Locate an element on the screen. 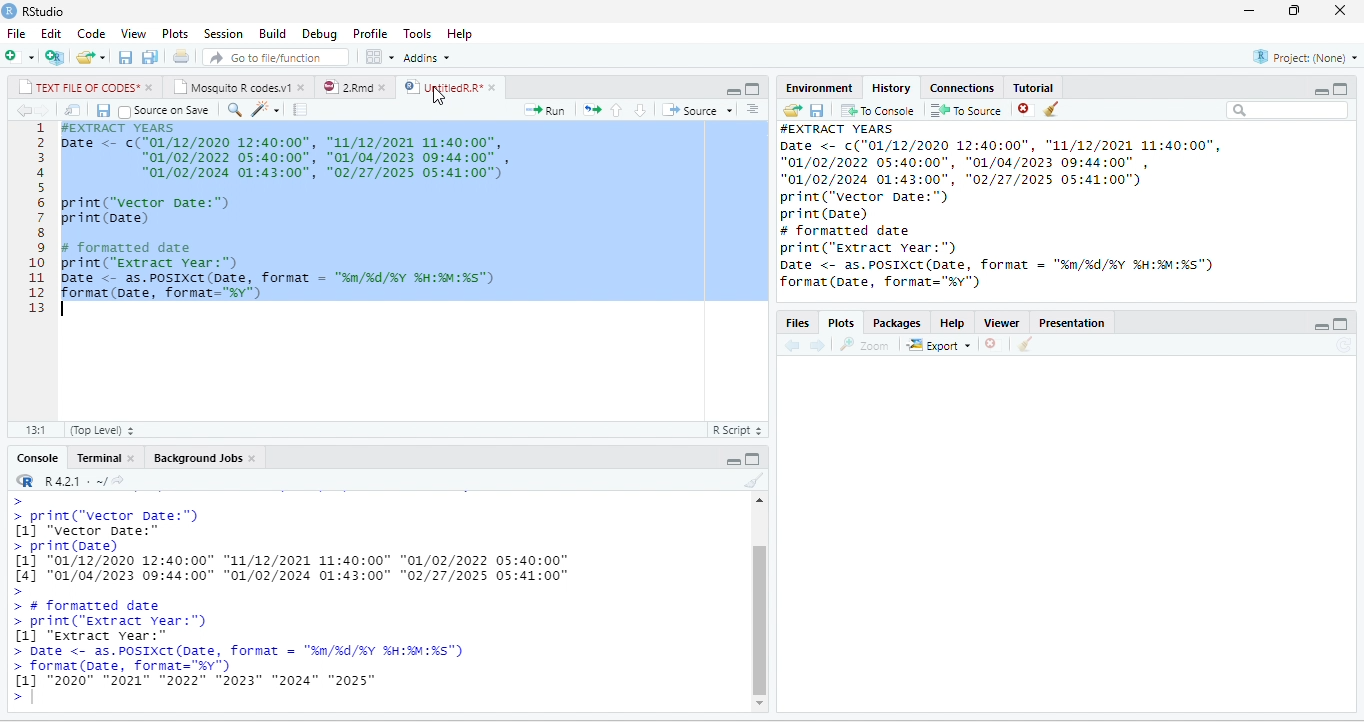  open file is located at coordinates (92, 57).